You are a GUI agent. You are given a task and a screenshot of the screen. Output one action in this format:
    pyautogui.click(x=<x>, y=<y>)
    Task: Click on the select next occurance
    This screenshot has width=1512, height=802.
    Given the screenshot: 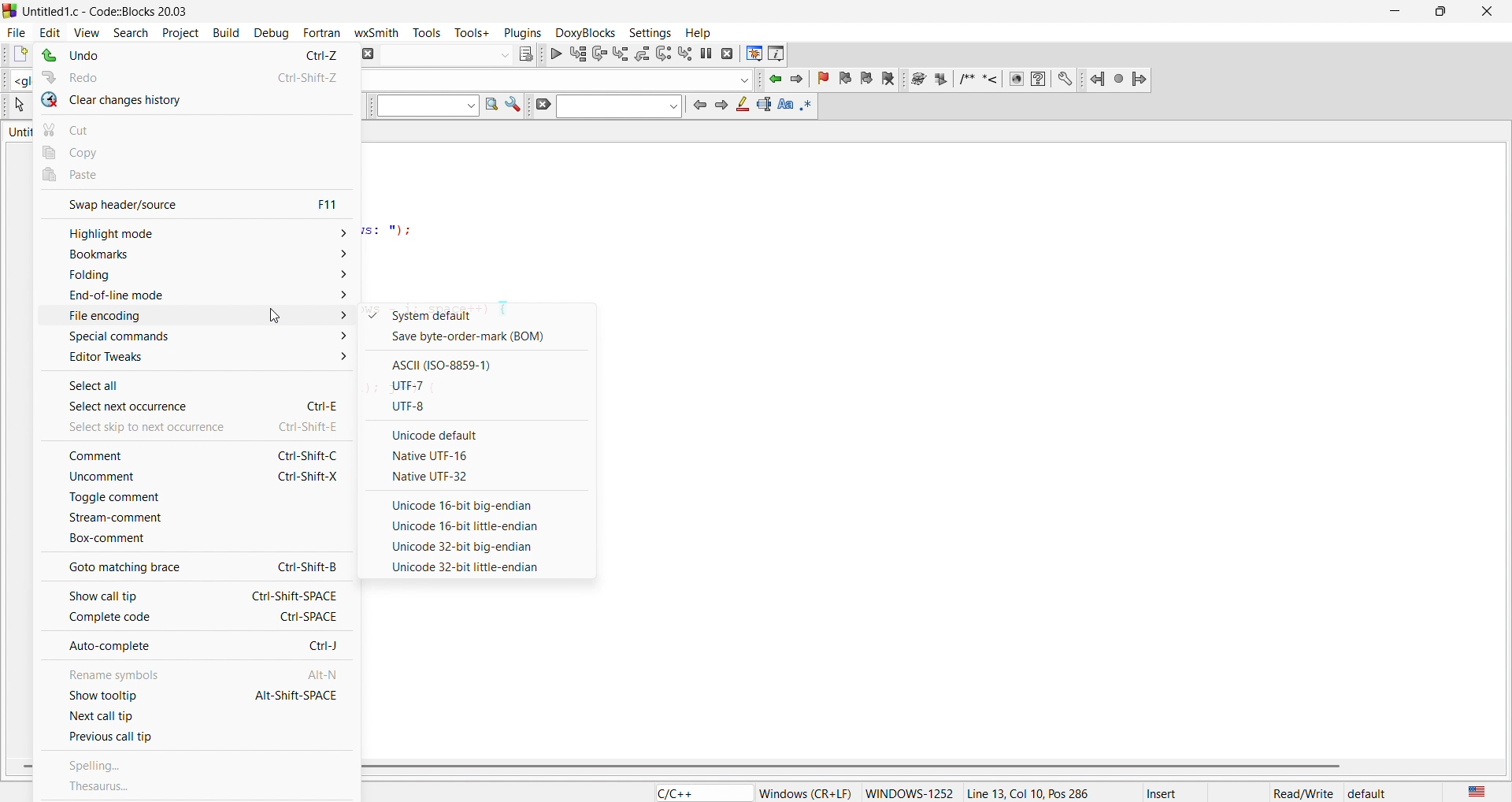 What is the action you would take?
    pyautogui.click(x=191, y=407)
    